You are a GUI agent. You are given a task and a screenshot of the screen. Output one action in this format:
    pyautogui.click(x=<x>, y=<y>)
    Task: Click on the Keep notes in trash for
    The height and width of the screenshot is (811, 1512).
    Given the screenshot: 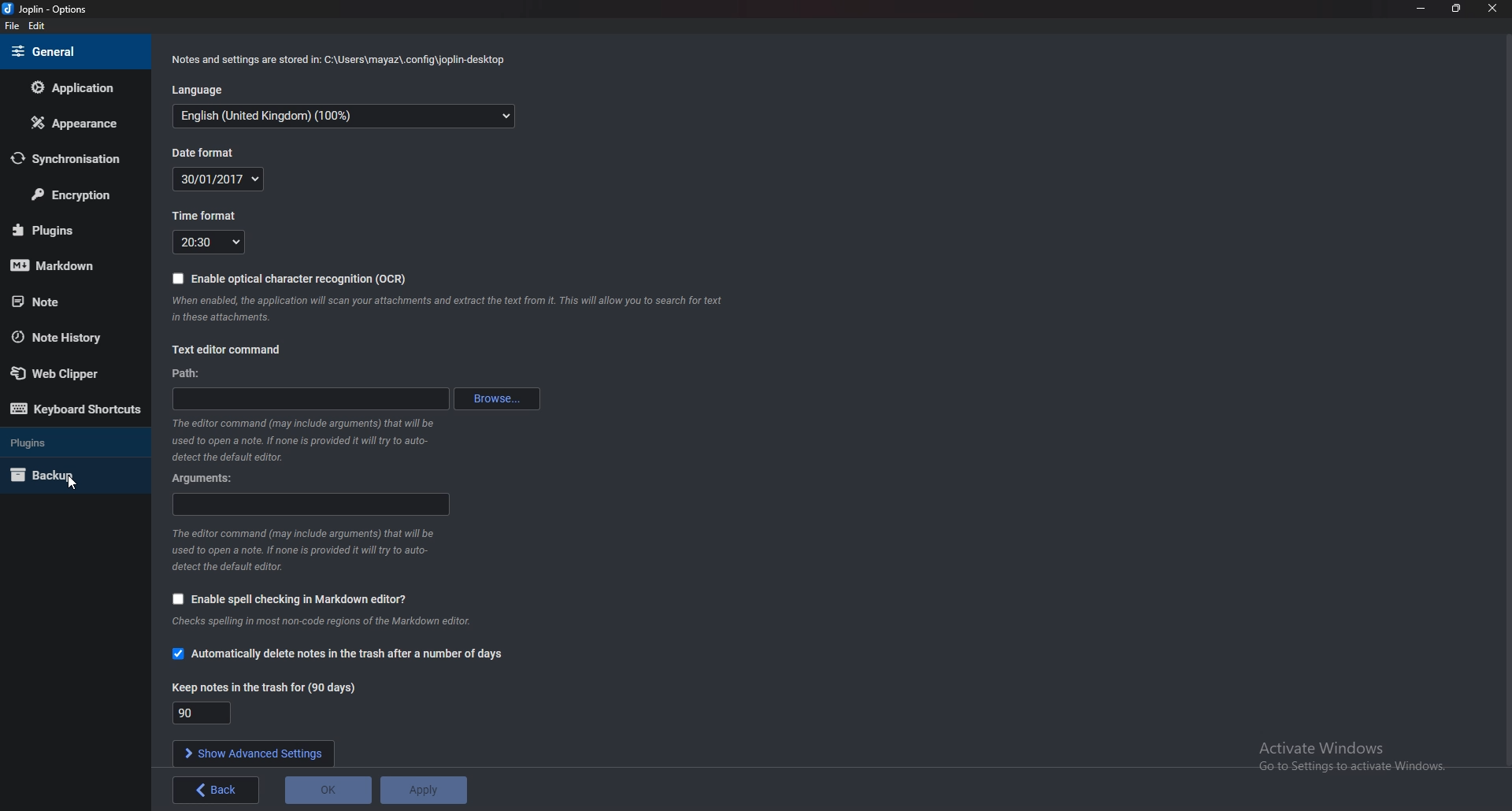 What is the action you would take?
    pyautogui.click(x=206, y=713)
    